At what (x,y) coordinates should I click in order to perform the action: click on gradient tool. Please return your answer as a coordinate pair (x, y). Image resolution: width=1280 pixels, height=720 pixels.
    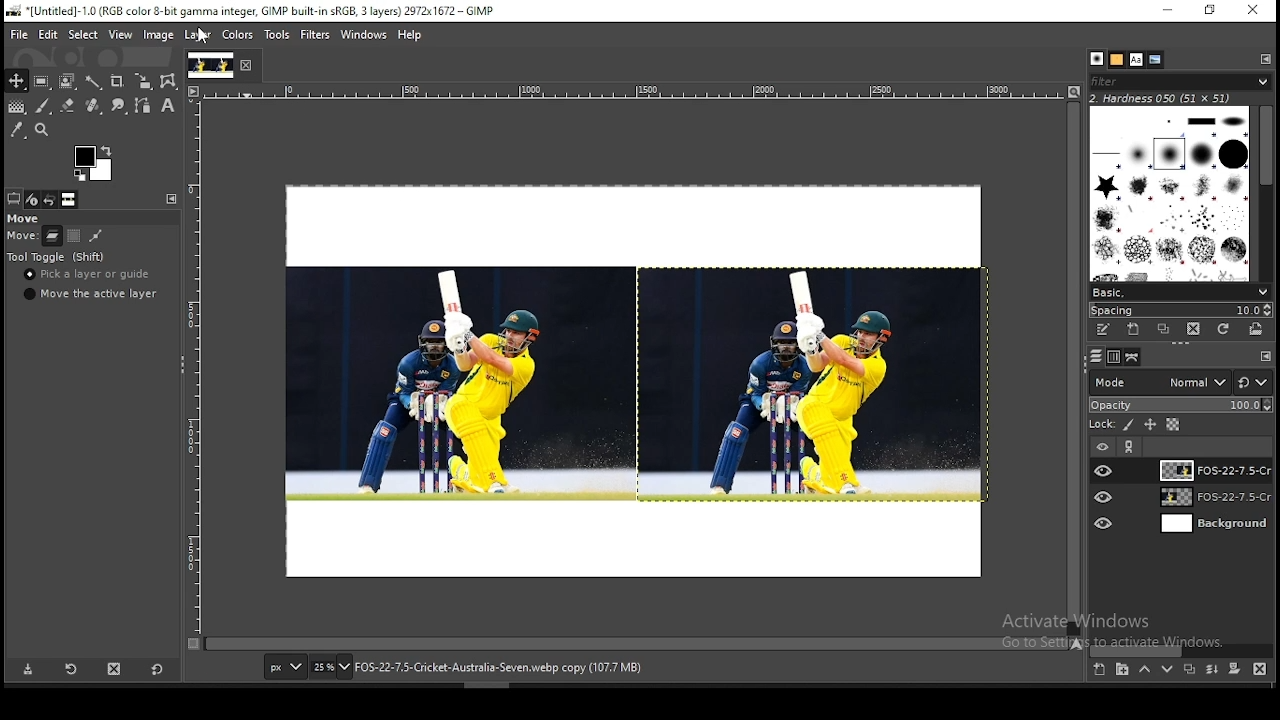
    Looking at the image, I should click on (16, 108).